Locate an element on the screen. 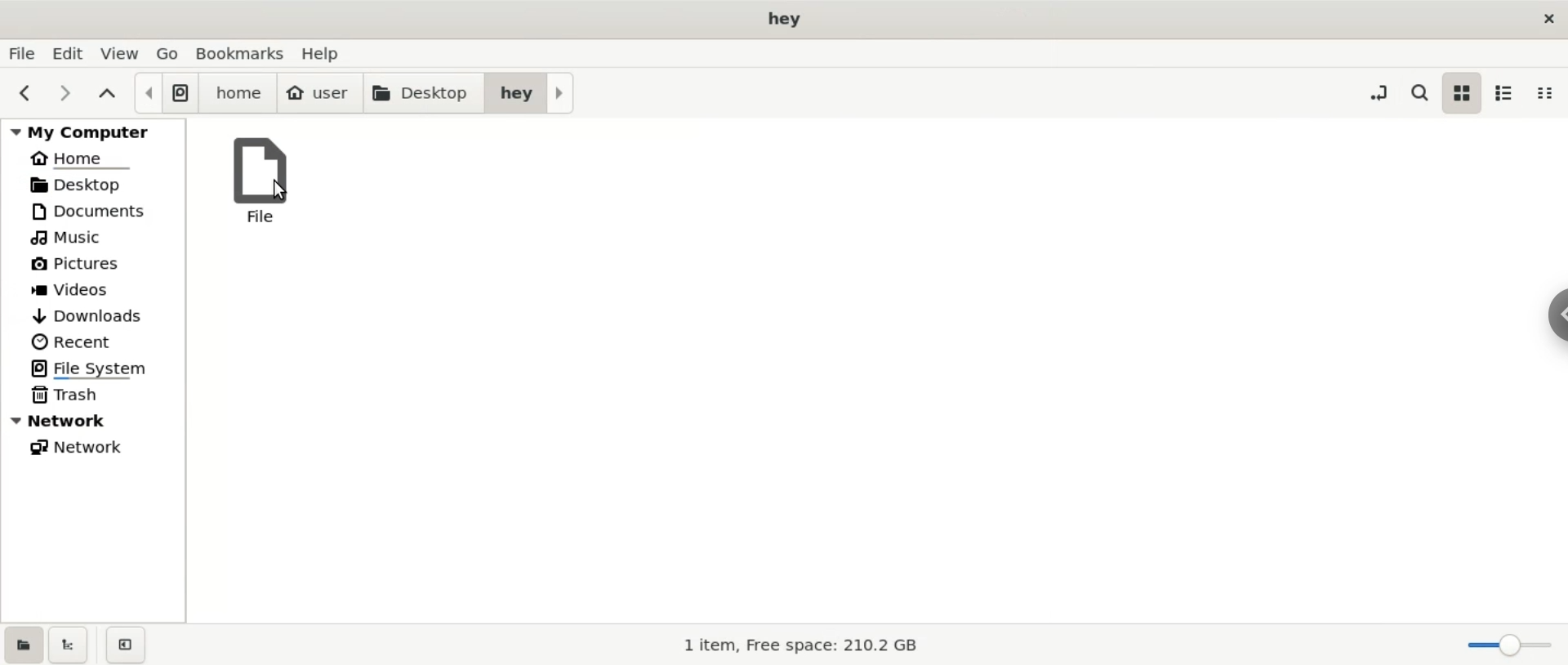  show places is located at coordinates (22, 644).